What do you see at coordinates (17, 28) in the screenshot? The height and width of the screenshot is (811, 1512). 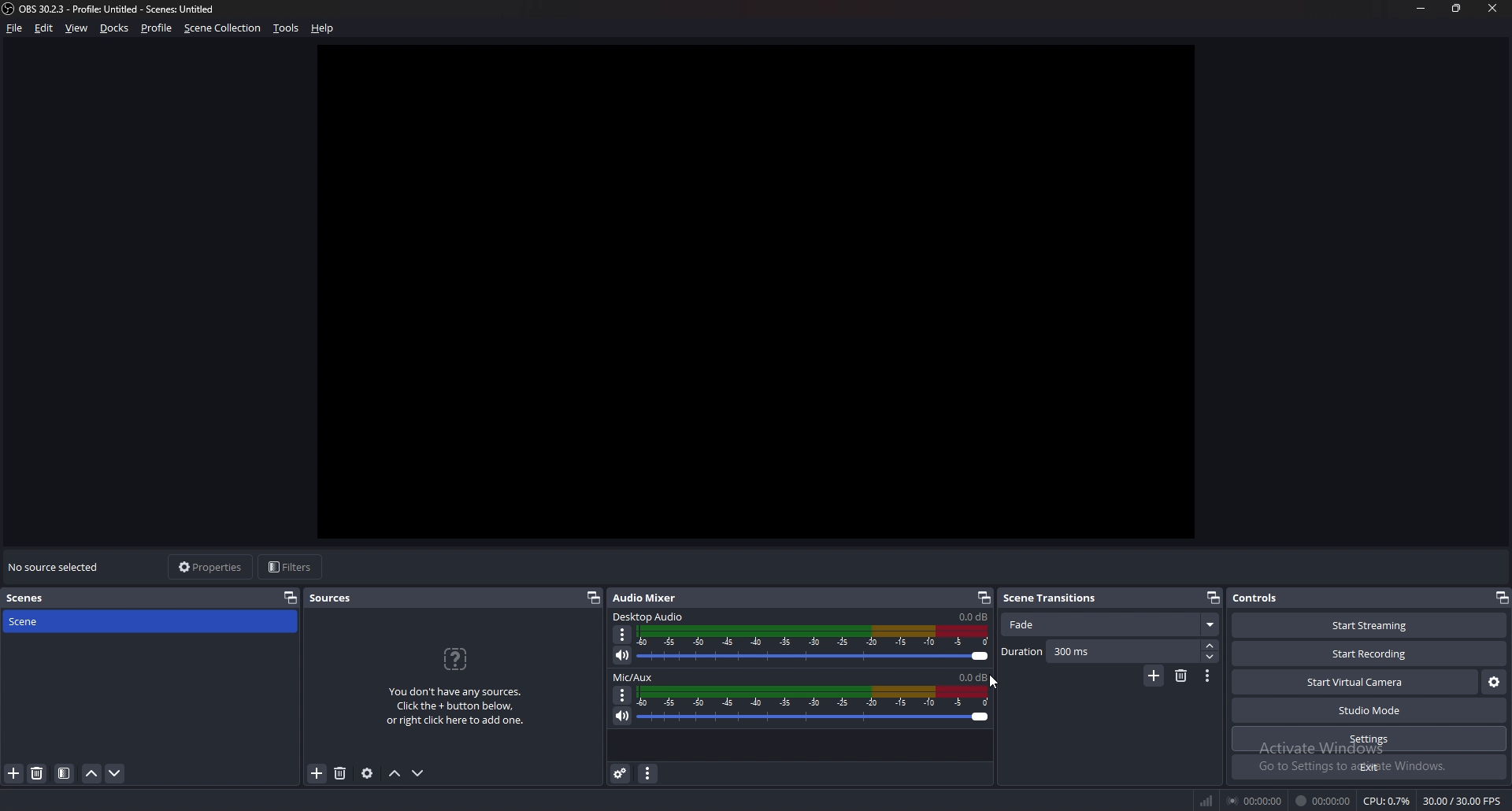 I see `file` at bounding box center [17, 28].